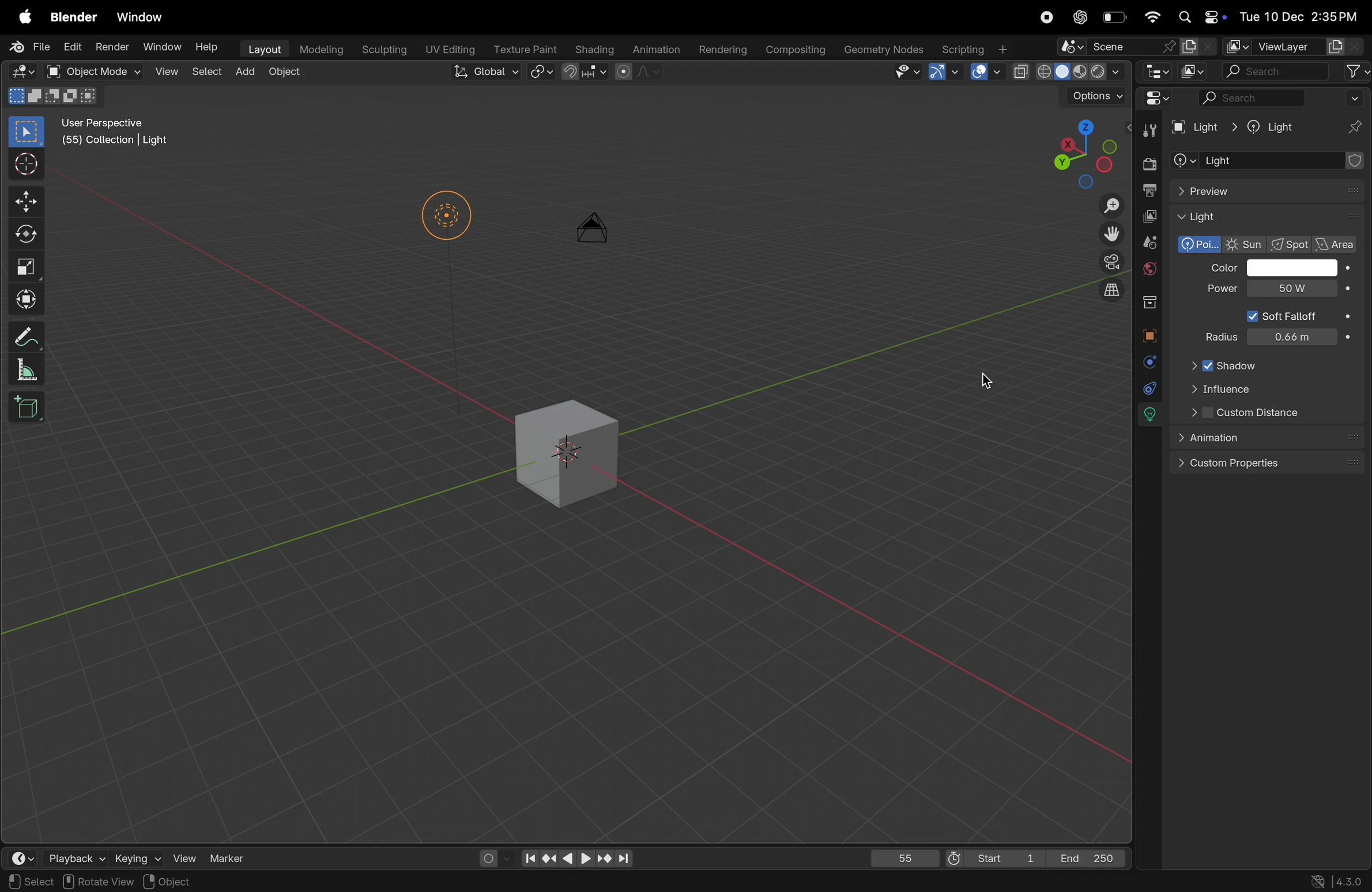 This screenshot has width=1372, height=892. Describe the element at coordinates (93, 71) in the screenshot. I see `object mode` at that location.